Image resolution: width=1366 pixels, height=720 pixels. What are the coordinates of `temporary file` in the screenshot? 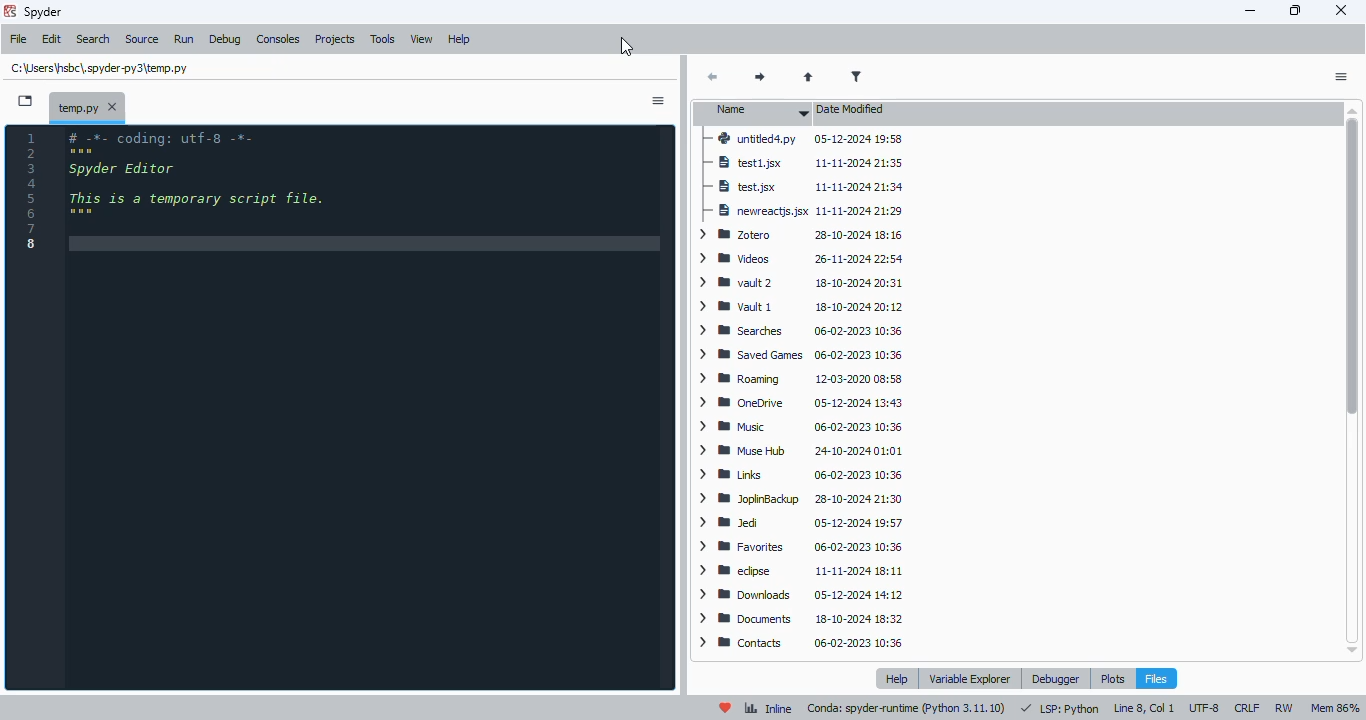 It's located at (87, 105).